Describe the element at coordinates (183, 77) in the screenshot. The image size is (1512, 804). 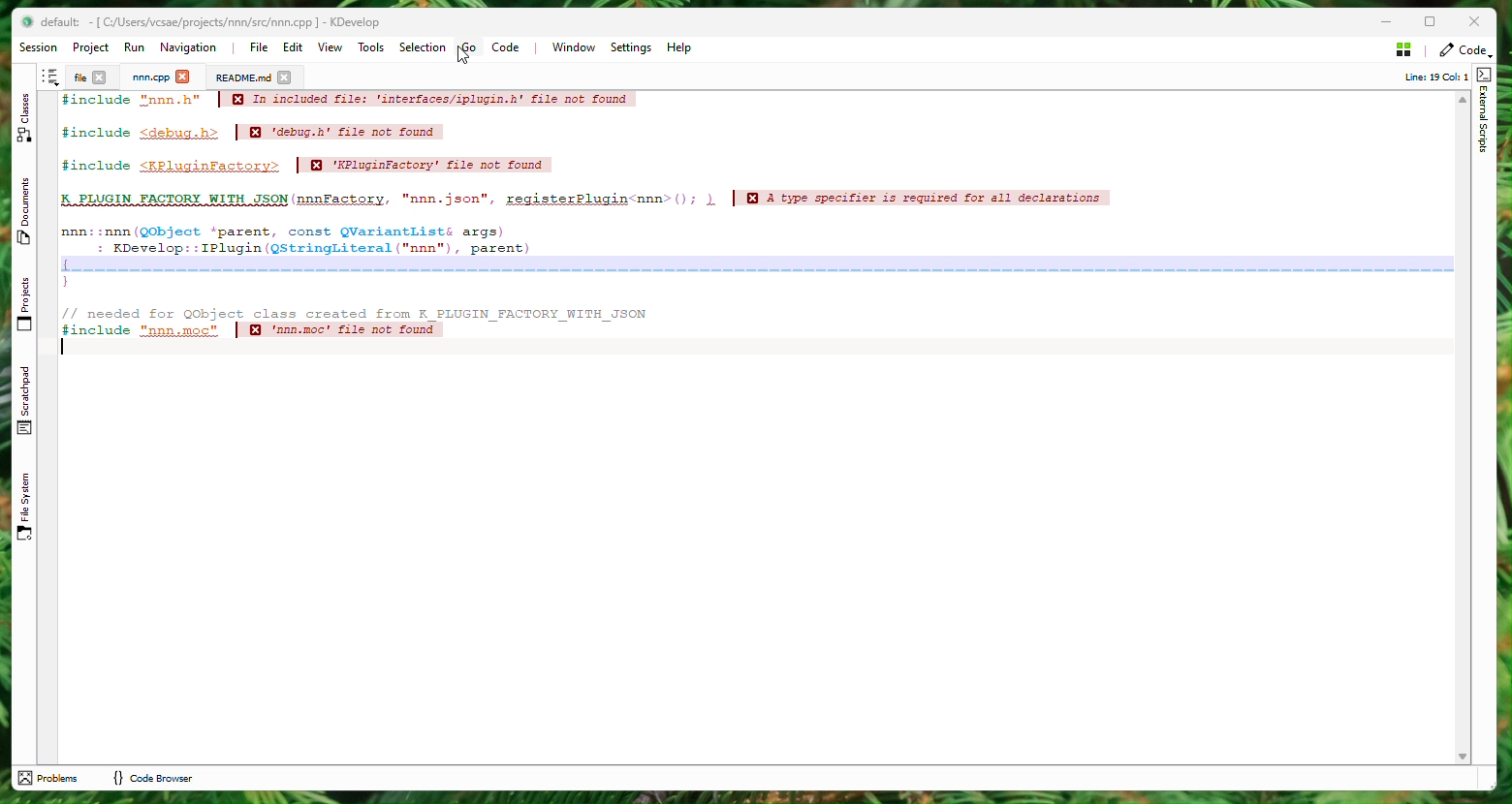
I see `close tab` at that location.